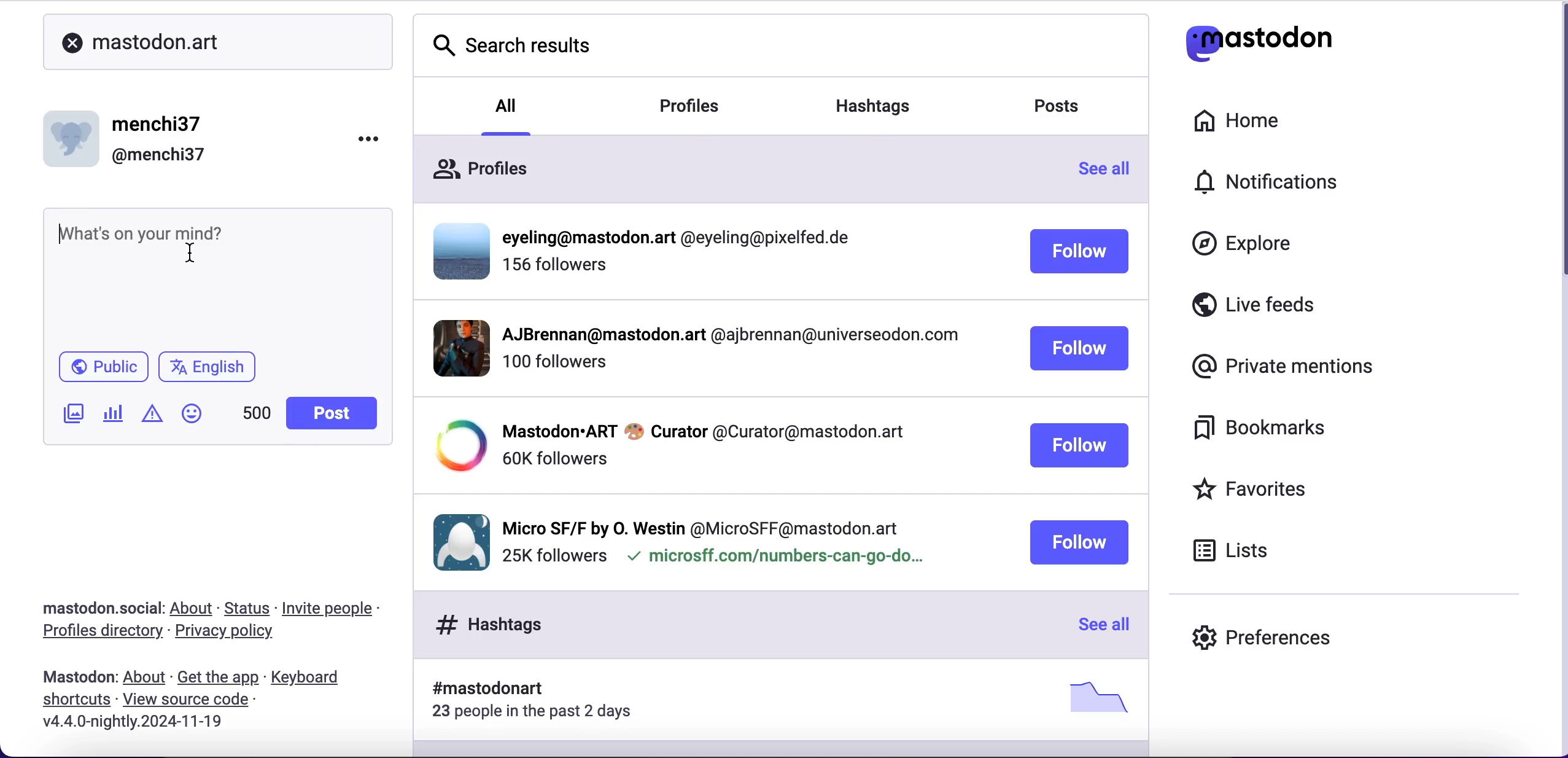 This screenshot has height=758, width=1568. What do you see at coordinates (505, 114) in the screenshot?
I see `all` at bounding box center [505, 114].